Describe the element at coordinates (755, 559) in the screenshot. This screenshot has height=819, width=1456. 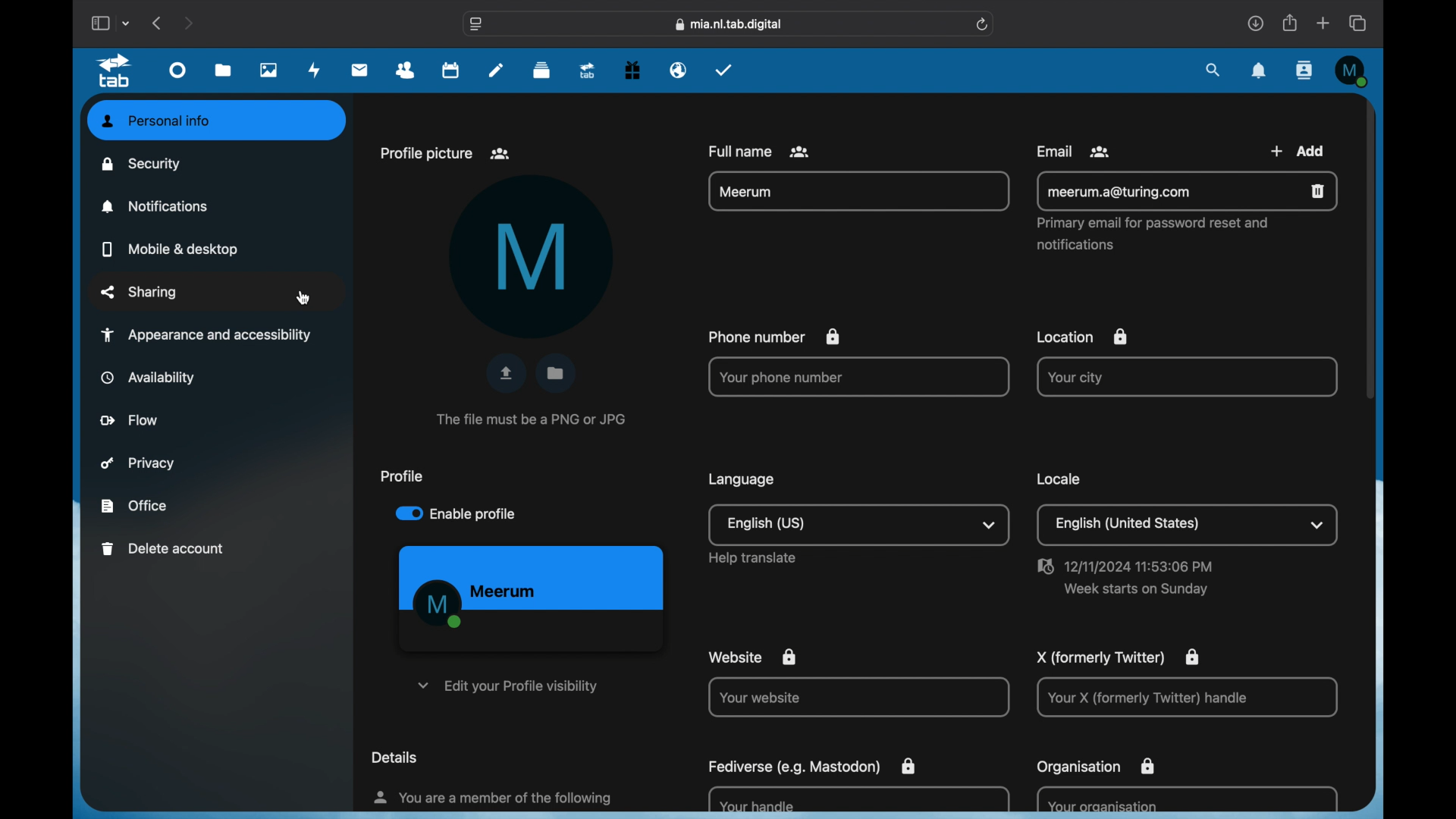
I see `` at that location.